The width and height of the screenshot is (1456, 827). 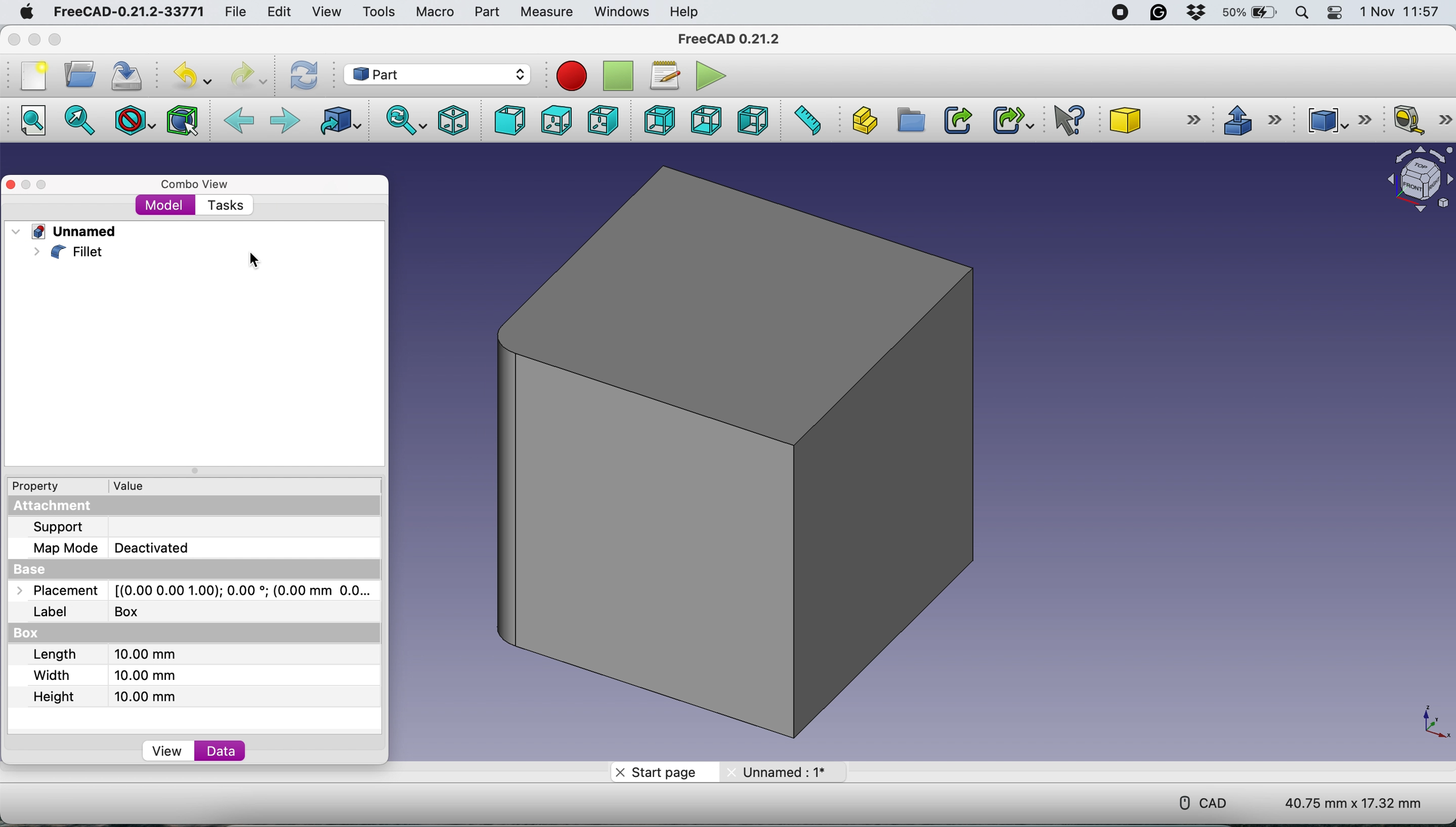 What do you see at coordinates (69, 252) in the screenshot?
I see `fillet` at bounding box center [69, 252].